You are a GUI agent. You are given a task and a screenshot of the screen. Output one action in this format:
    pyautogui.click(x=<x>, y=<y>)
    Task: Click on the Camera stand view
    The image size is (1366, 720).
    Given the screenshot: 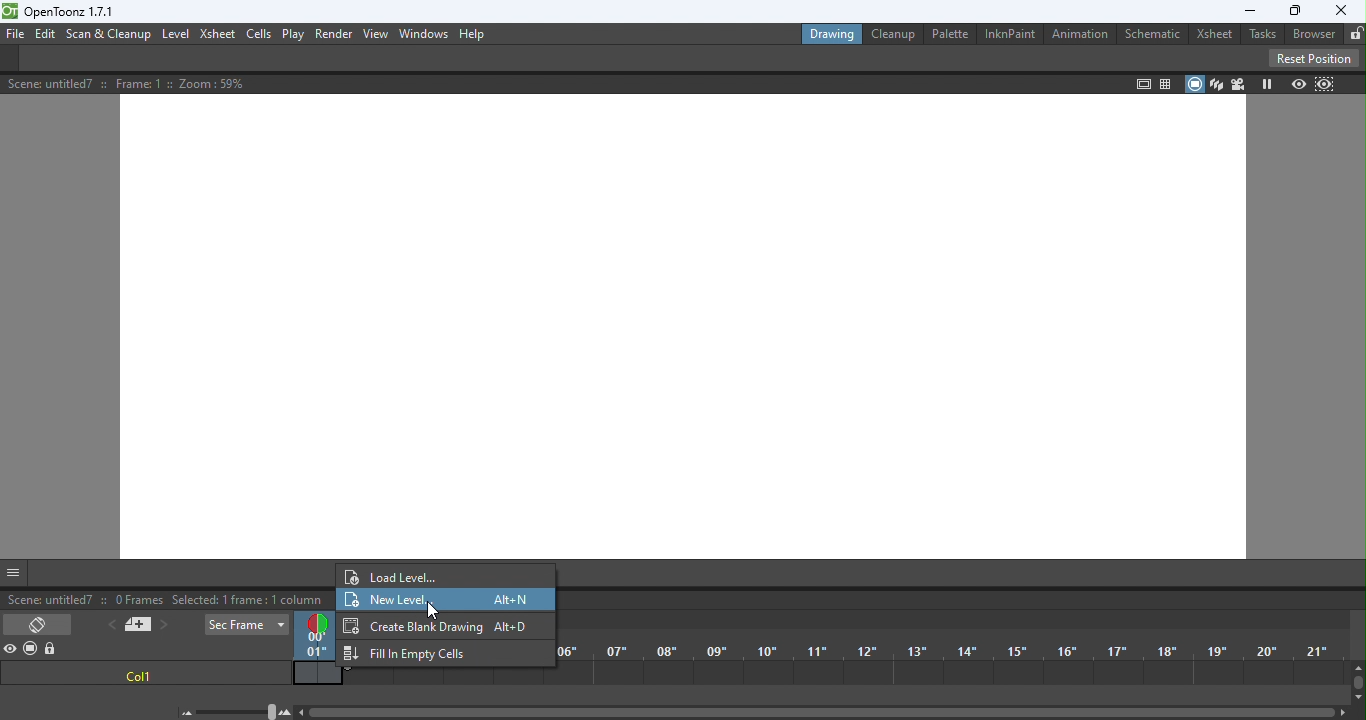 What is the action you would take?
    pyautogui.click(x=1193, y=84)
    